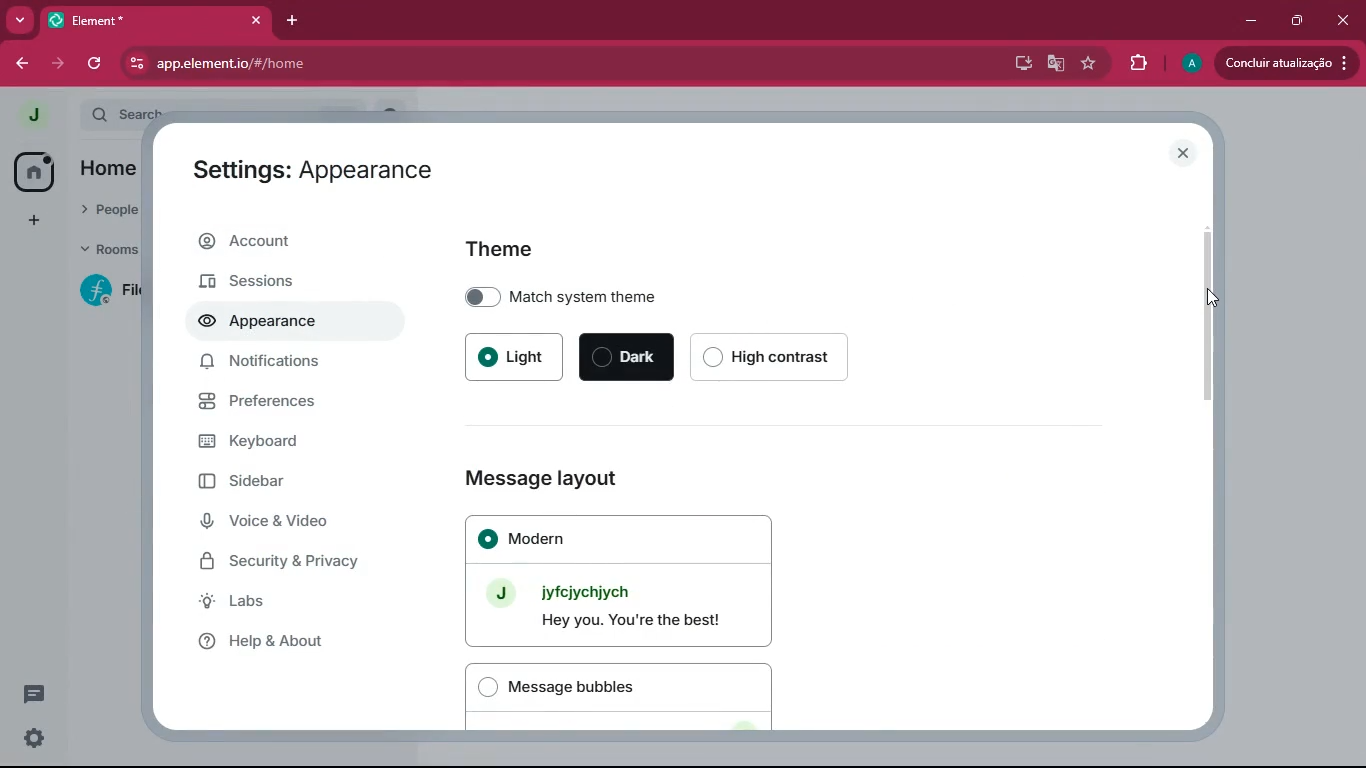 This screenshot has height=768, width=1366. What do you see at coordinates (290, 523) in the screenshot?
I see `voice & video` at bounding box center [290, 523].